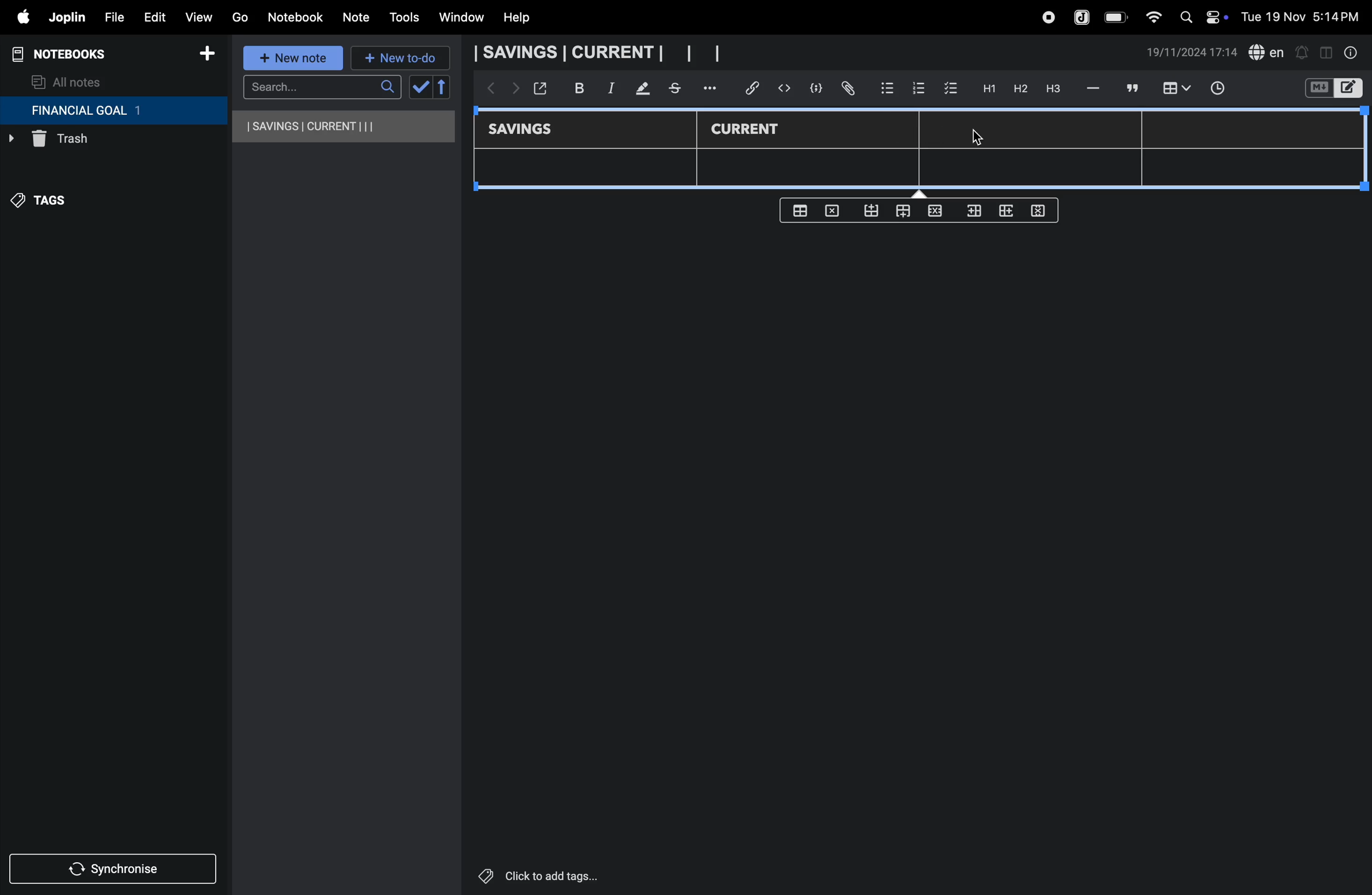 The image size is (1372, 895). I want to click on delete, so click(835, 210).